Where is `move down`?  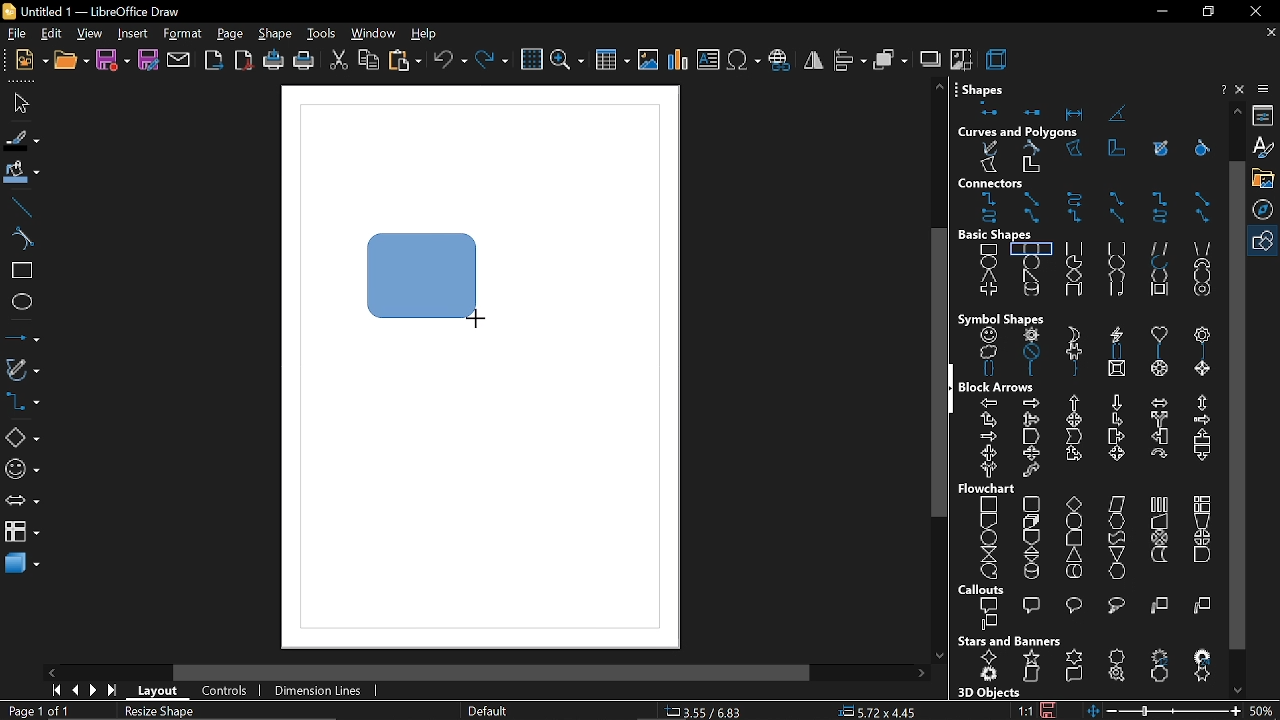
move down is located at coordinates (1241, 689).